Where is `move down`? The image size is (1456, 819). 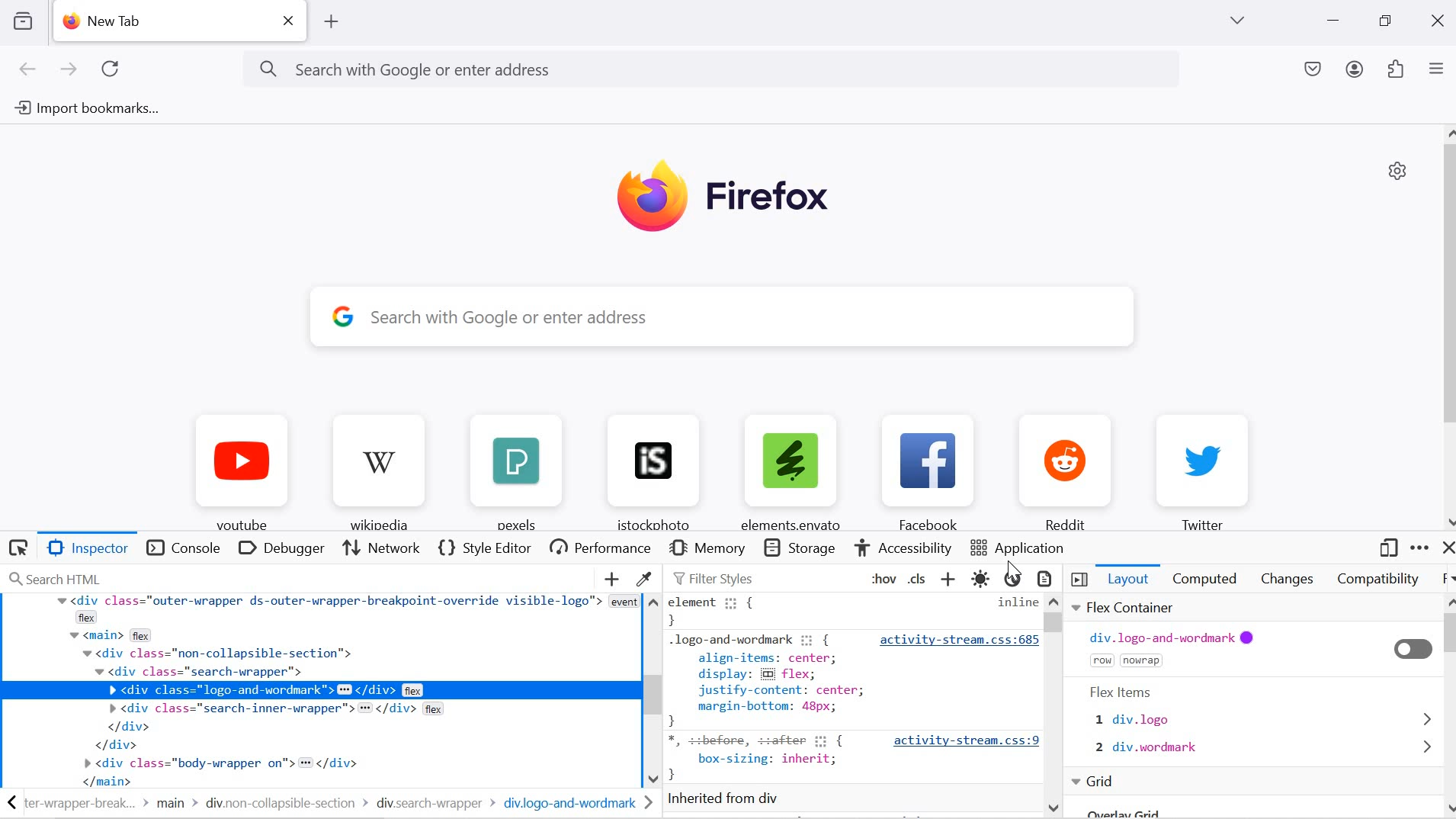
move down is located at coordinates (1447, 523).